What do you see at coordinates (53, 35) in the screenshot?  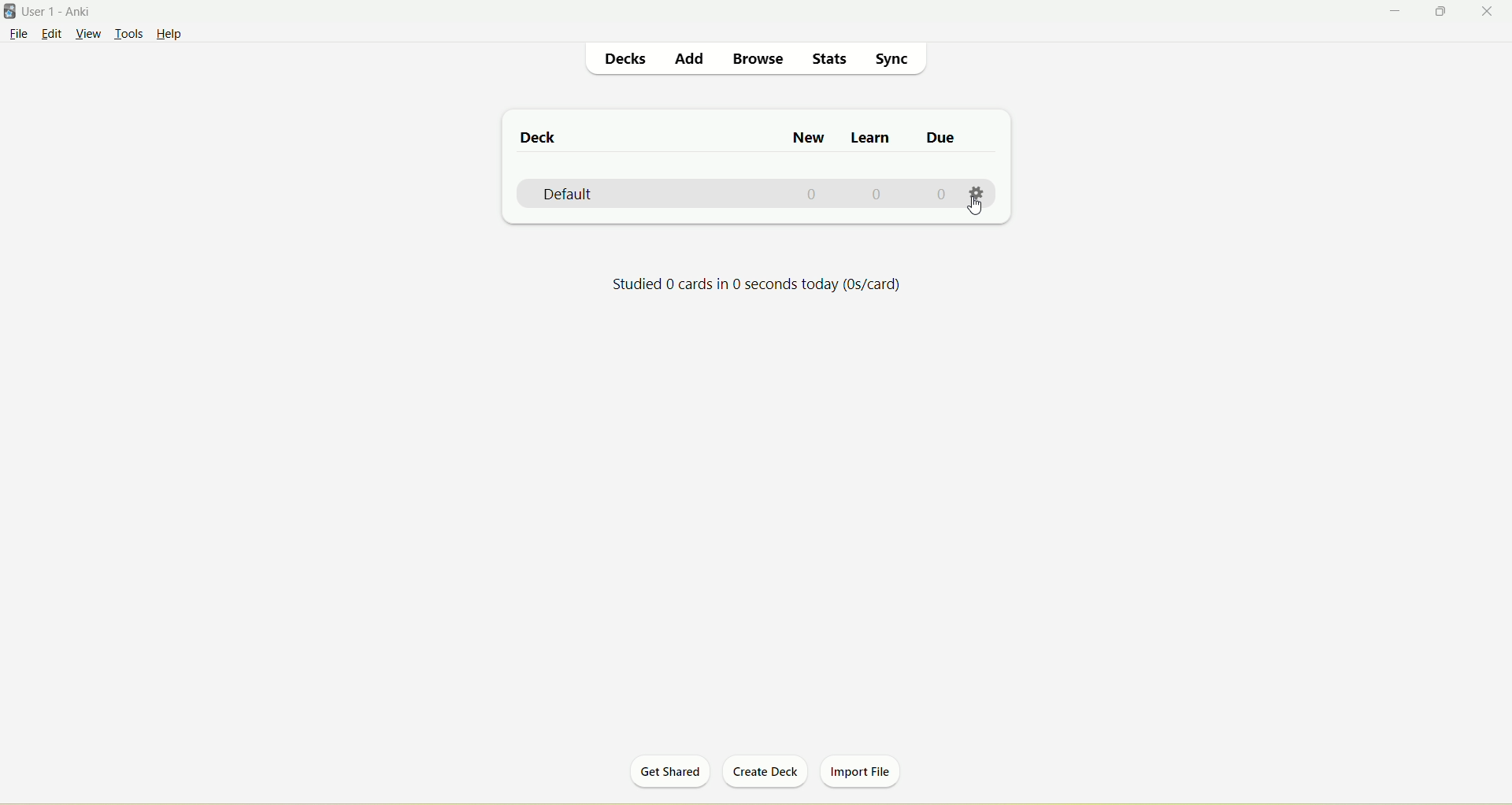 I see `edit` at bounding box center [53, 35].